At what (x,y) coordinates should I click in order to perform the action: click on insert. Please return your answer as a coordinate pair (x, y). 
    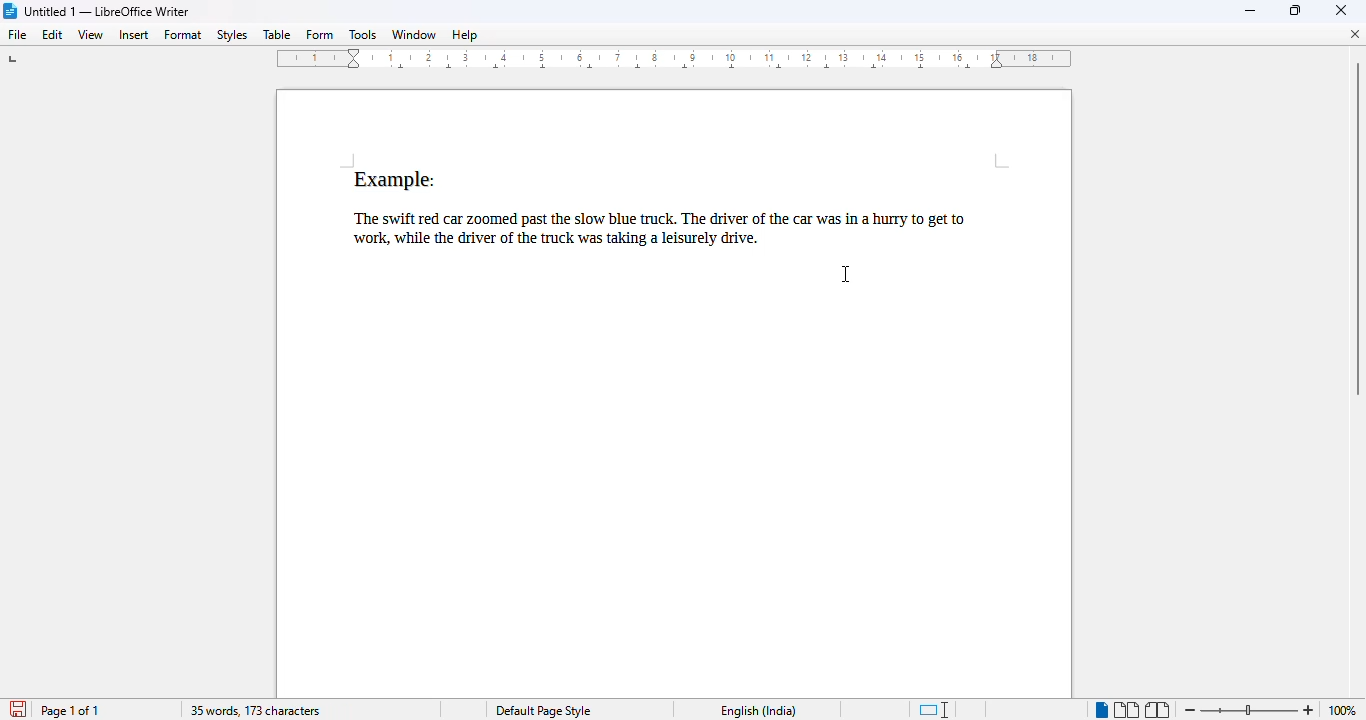
    Looking at the image, I should click on (133, 35).